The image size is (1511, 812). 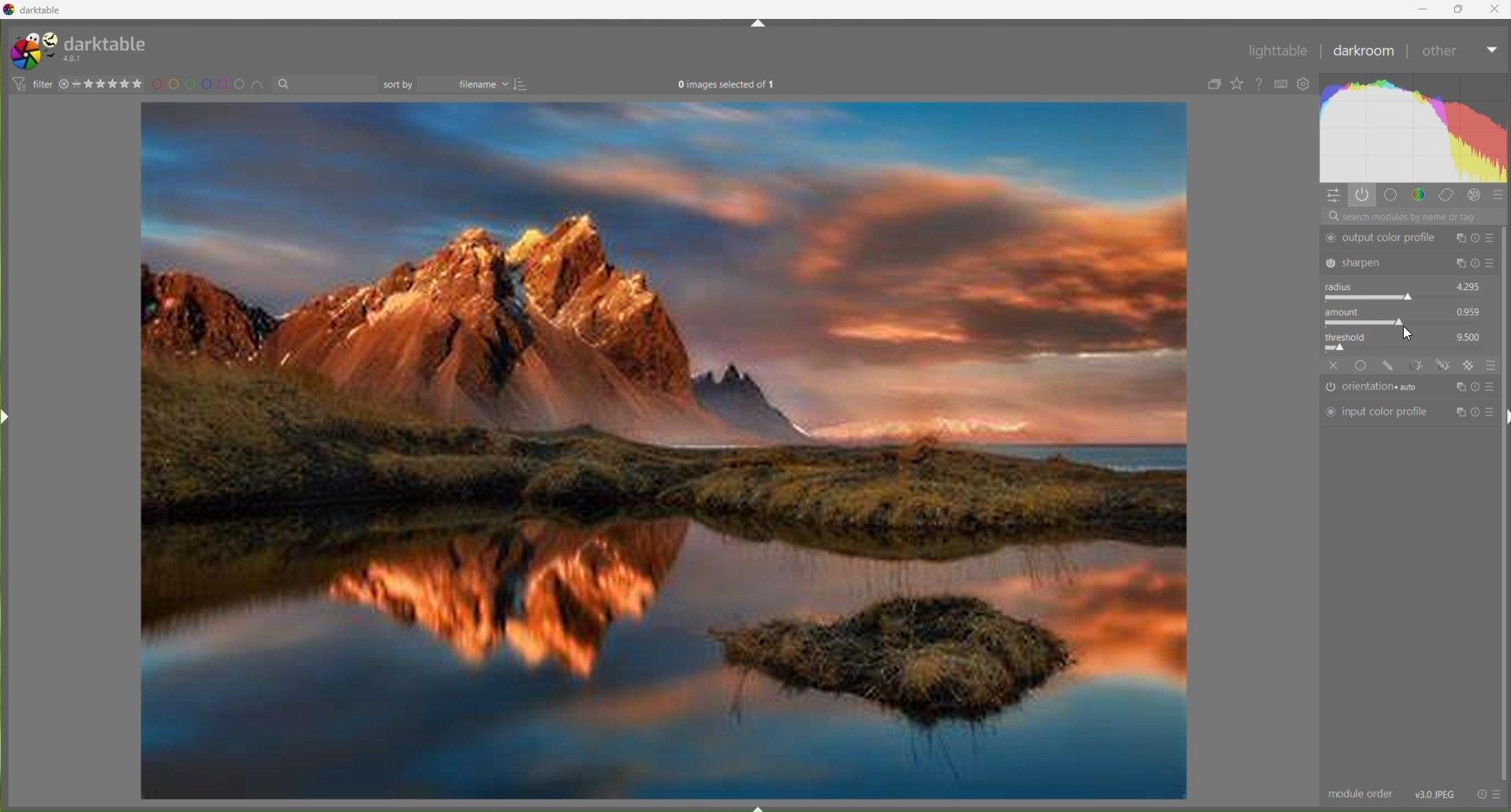 What do you see at coordinates (1476, 386) in the screenshot?
I see `copy, reset and presets` at bounding box center [1476, 386].